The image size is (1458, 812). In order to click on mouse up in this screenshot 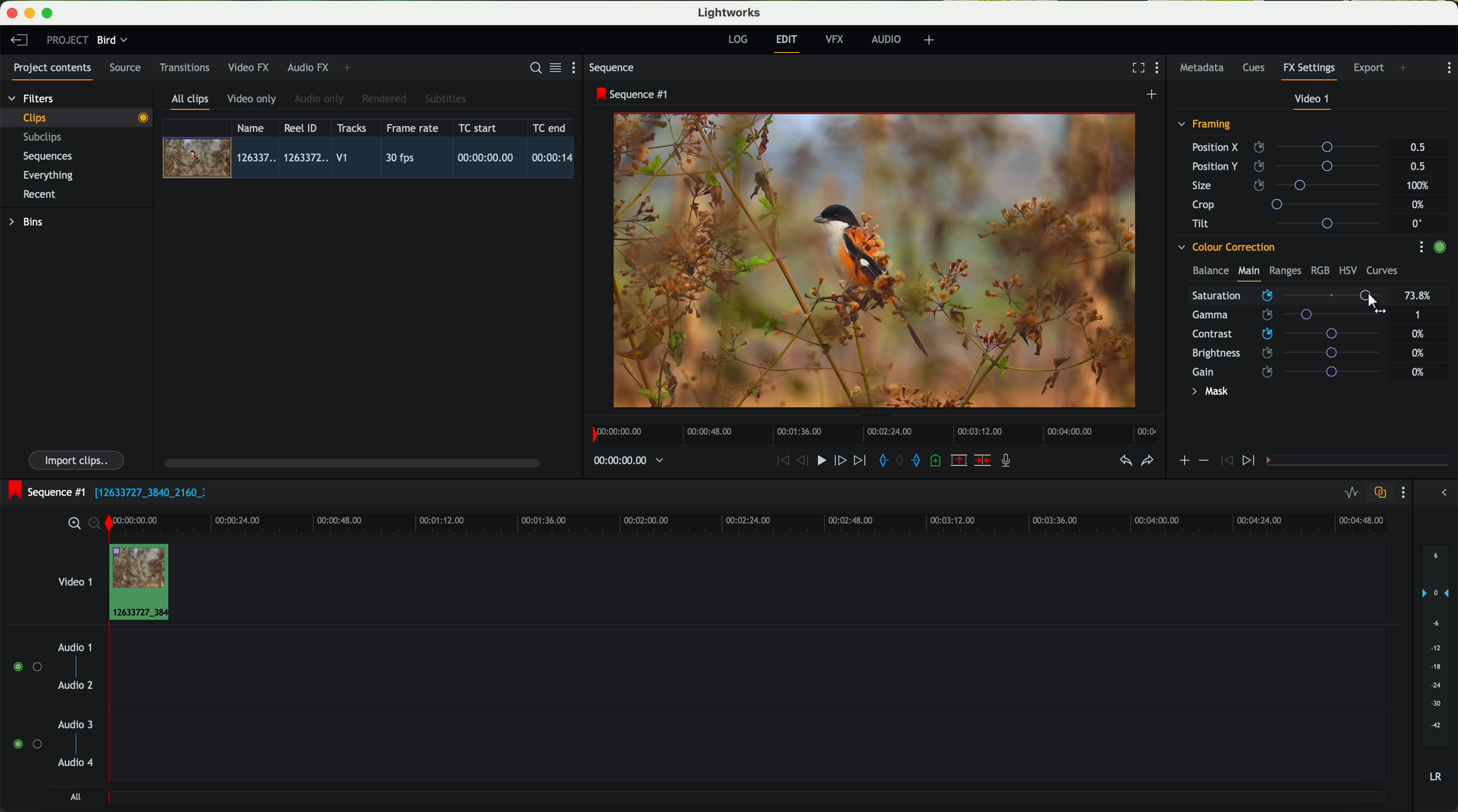, I will do `click(1378, 304)`.